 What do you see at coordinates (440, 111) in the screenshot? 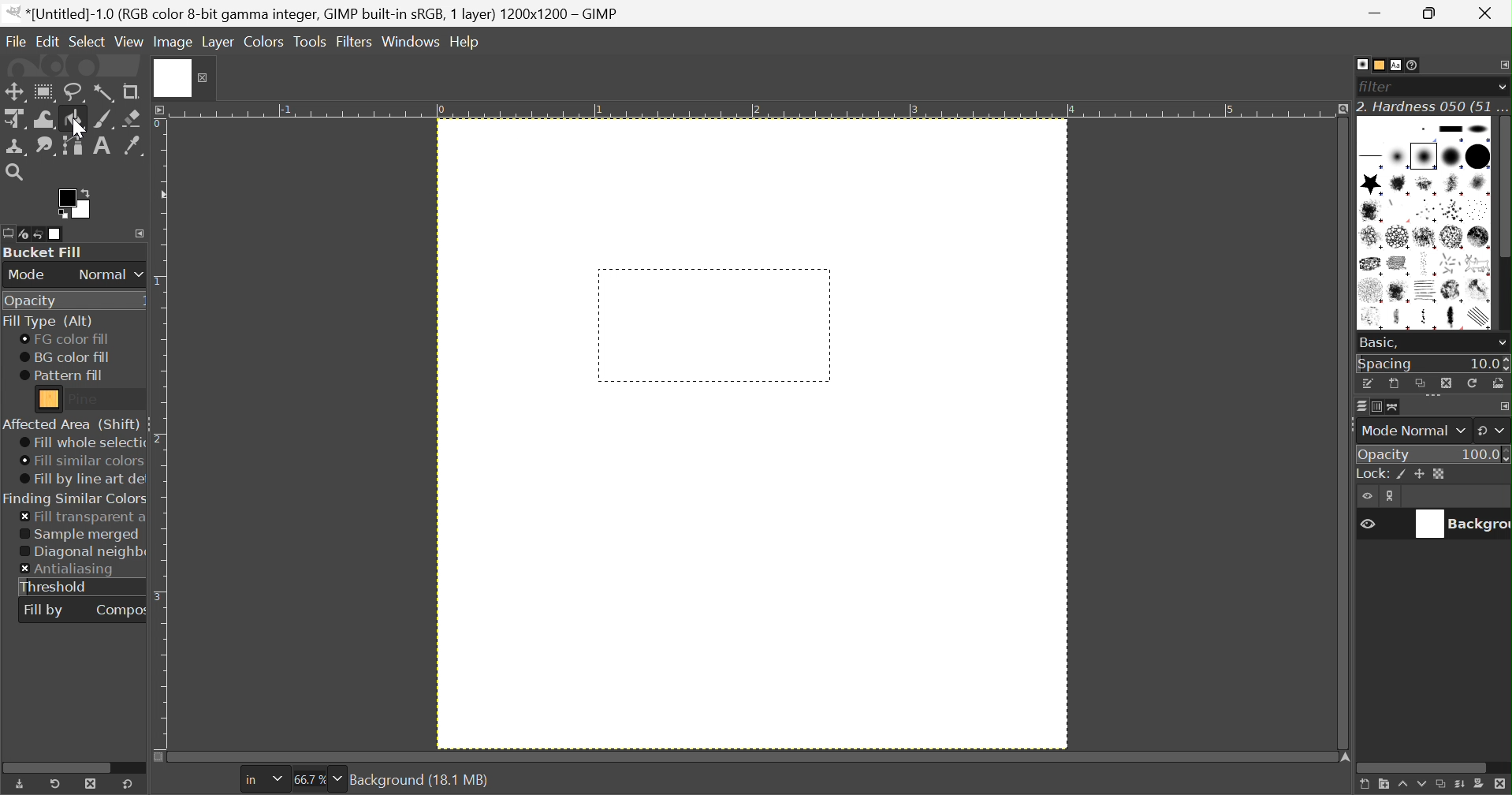
I see `0` at bounding box center [440, 111].